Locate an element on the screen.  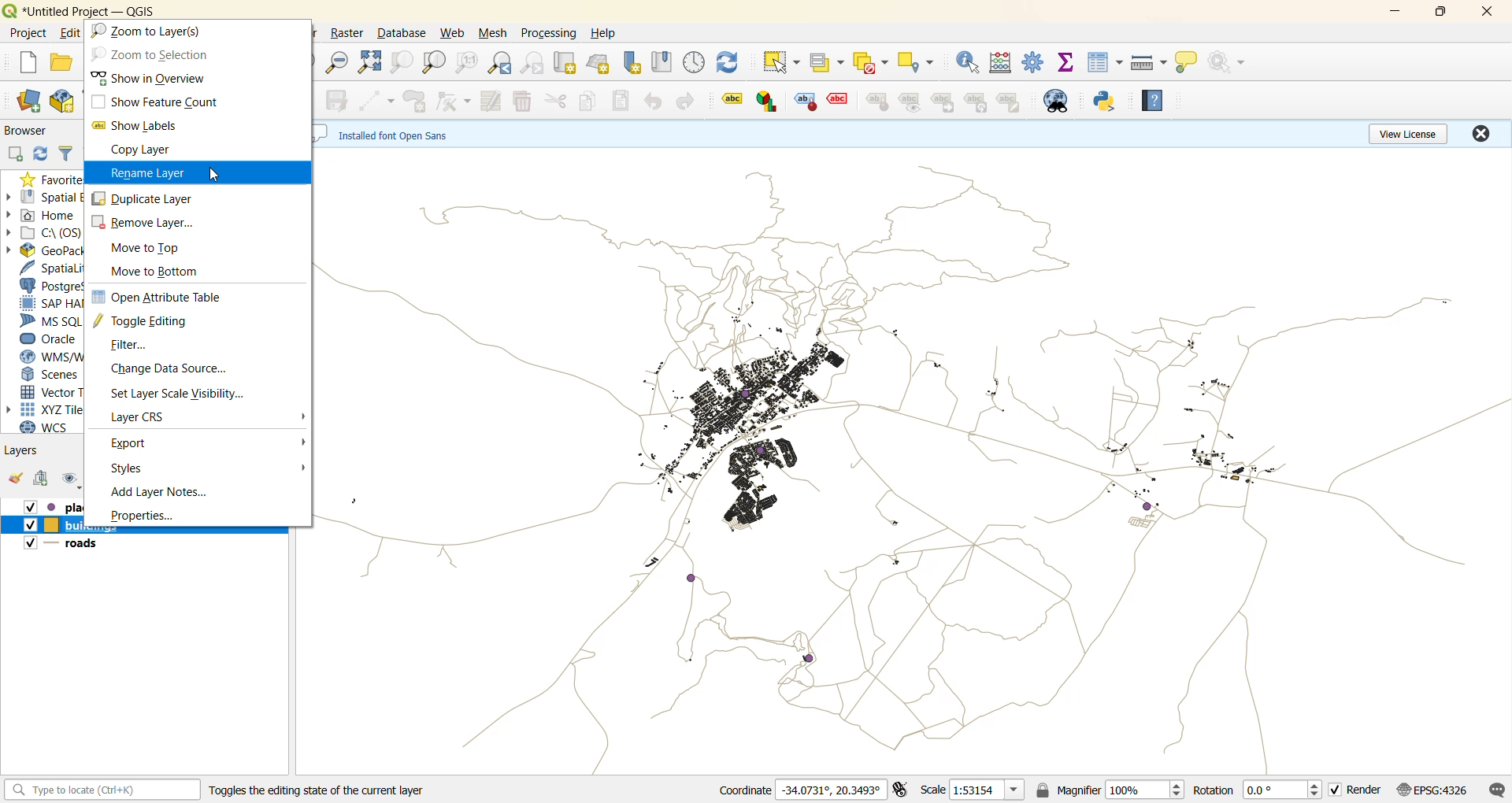
vertex tool is located at coordinates (457, 101).